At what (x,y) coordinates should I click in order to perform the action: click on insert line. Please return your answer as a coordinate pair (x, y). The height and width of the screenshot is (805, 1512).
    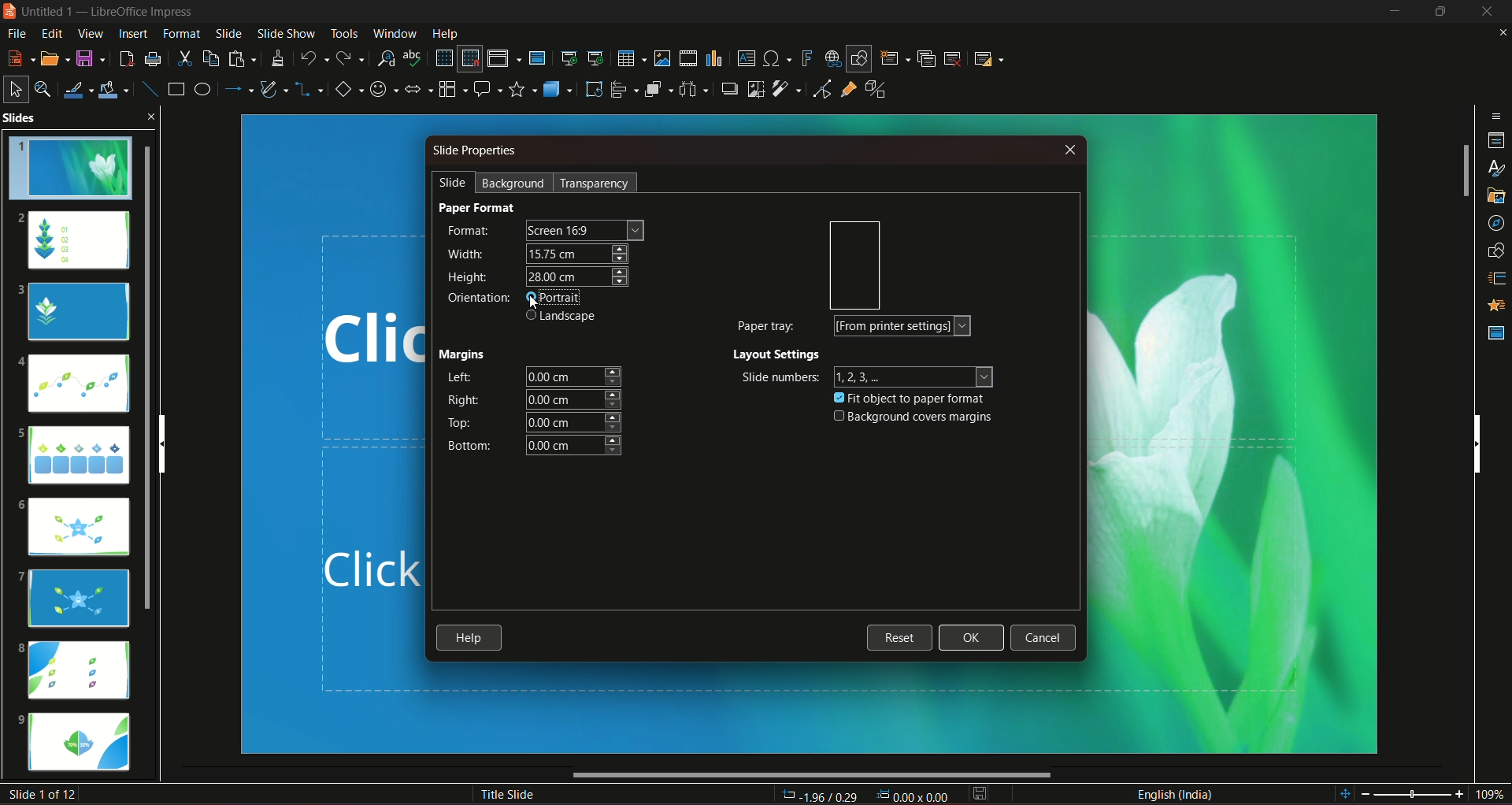
    Looking at the image, I should click on (148, 86).